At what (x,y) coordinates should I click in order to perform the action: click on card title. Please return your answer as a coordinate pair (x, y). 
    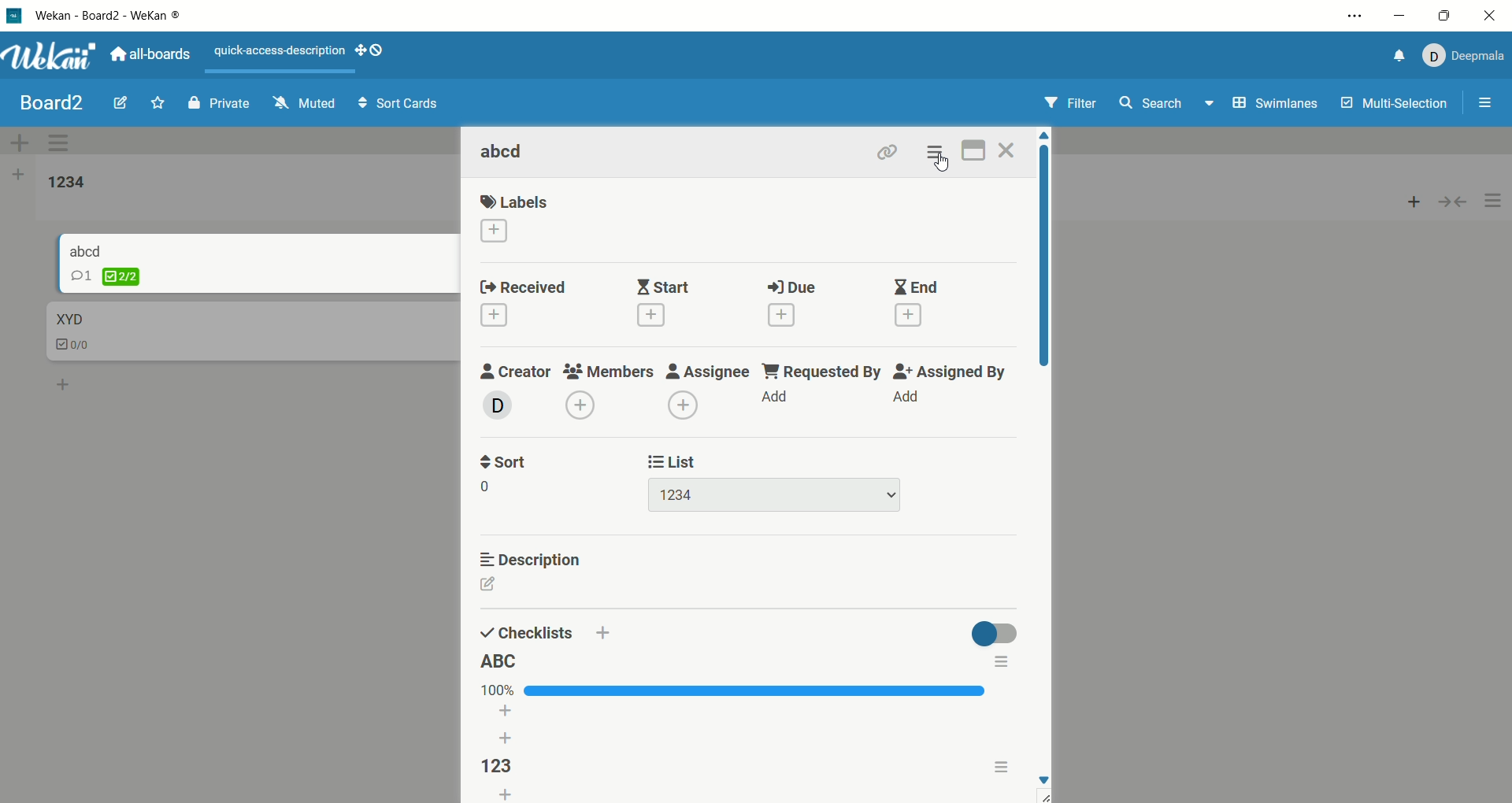
    Looking at the image, I should click on (93, 250).